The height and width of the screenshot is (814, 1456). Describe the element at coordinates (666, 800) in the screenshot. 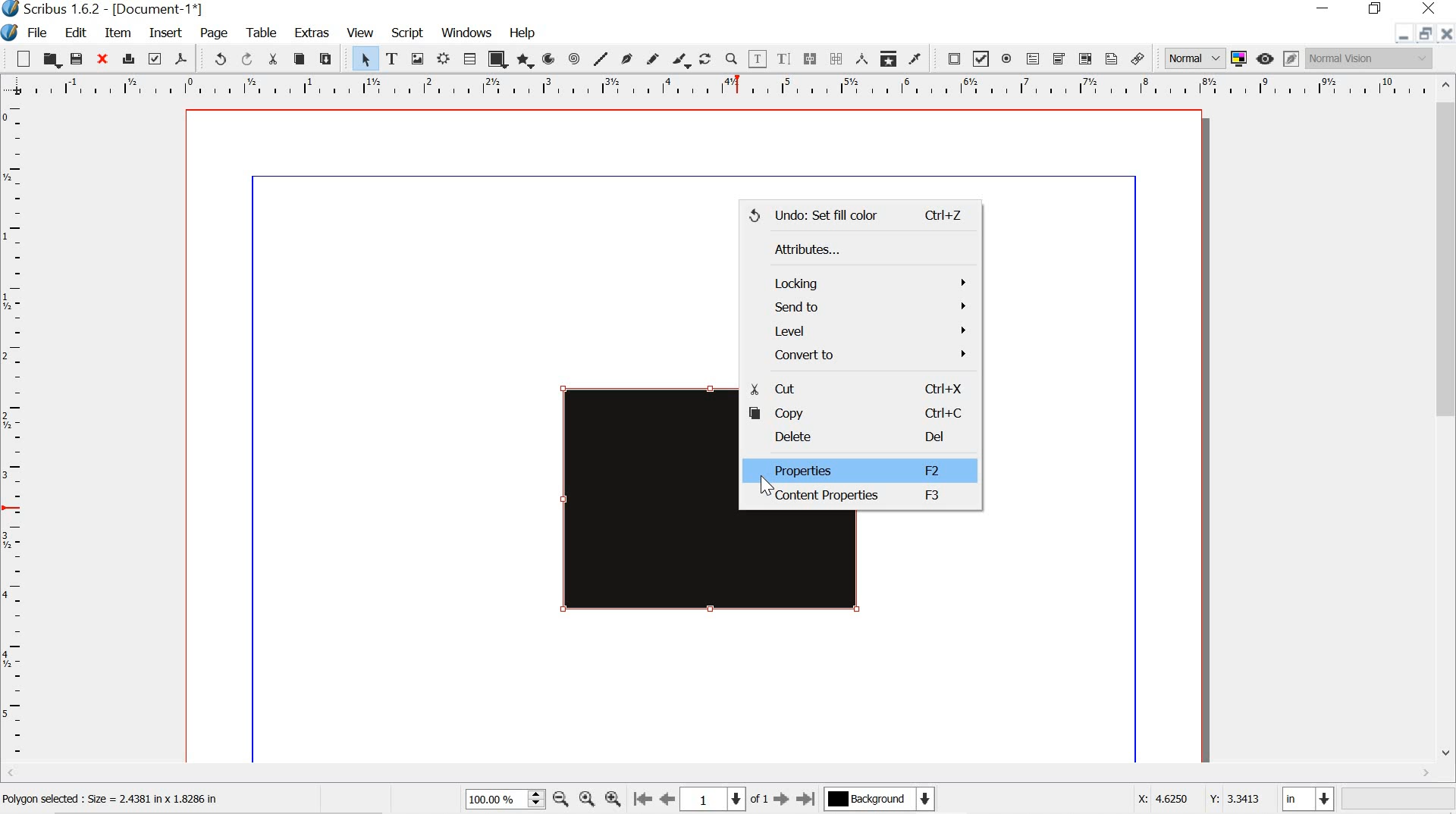

I see `go to previous page` at that location.